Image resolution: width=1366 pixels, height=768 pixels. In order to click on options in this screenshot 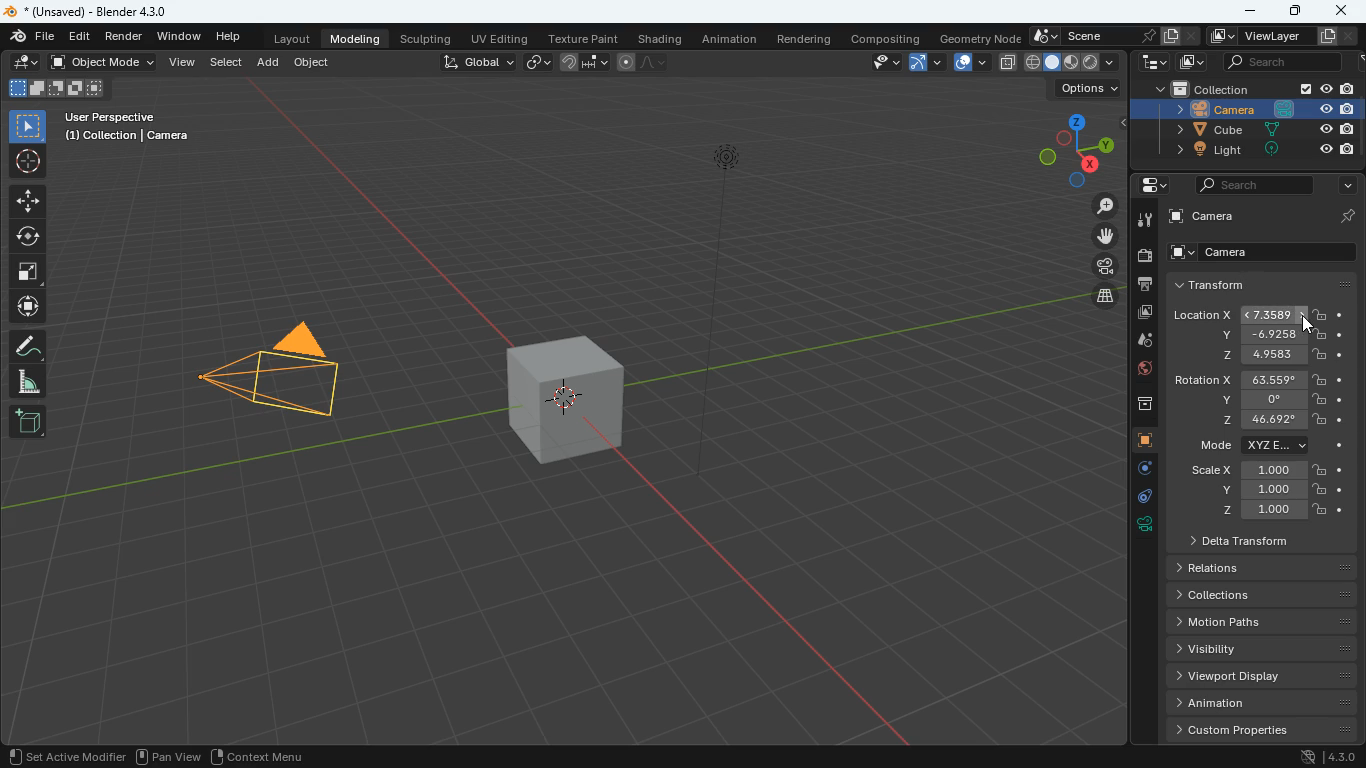, I will do `click(1090, 89)`.